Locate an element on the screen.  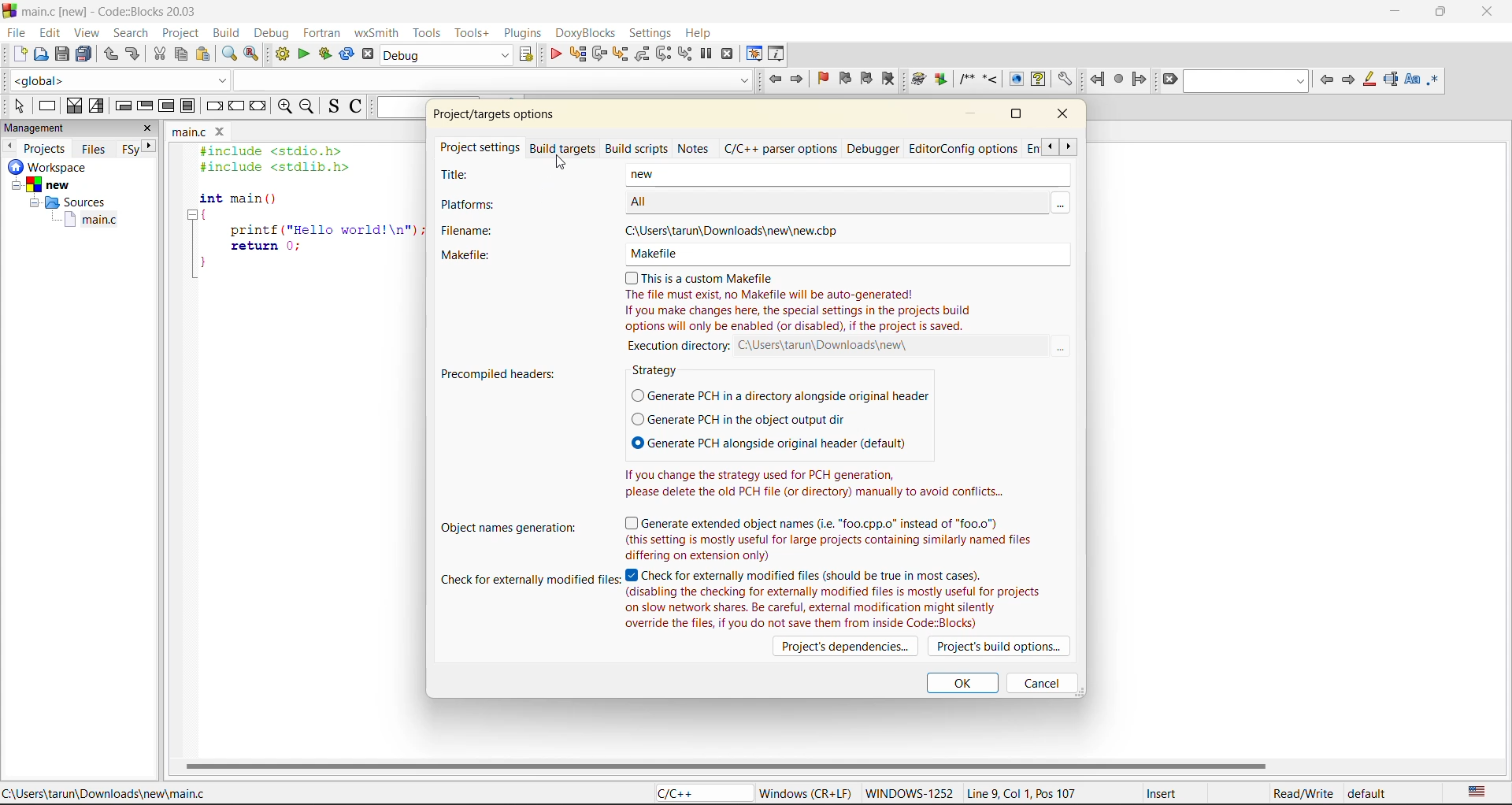
clear is located at coordinates (1172, 81).